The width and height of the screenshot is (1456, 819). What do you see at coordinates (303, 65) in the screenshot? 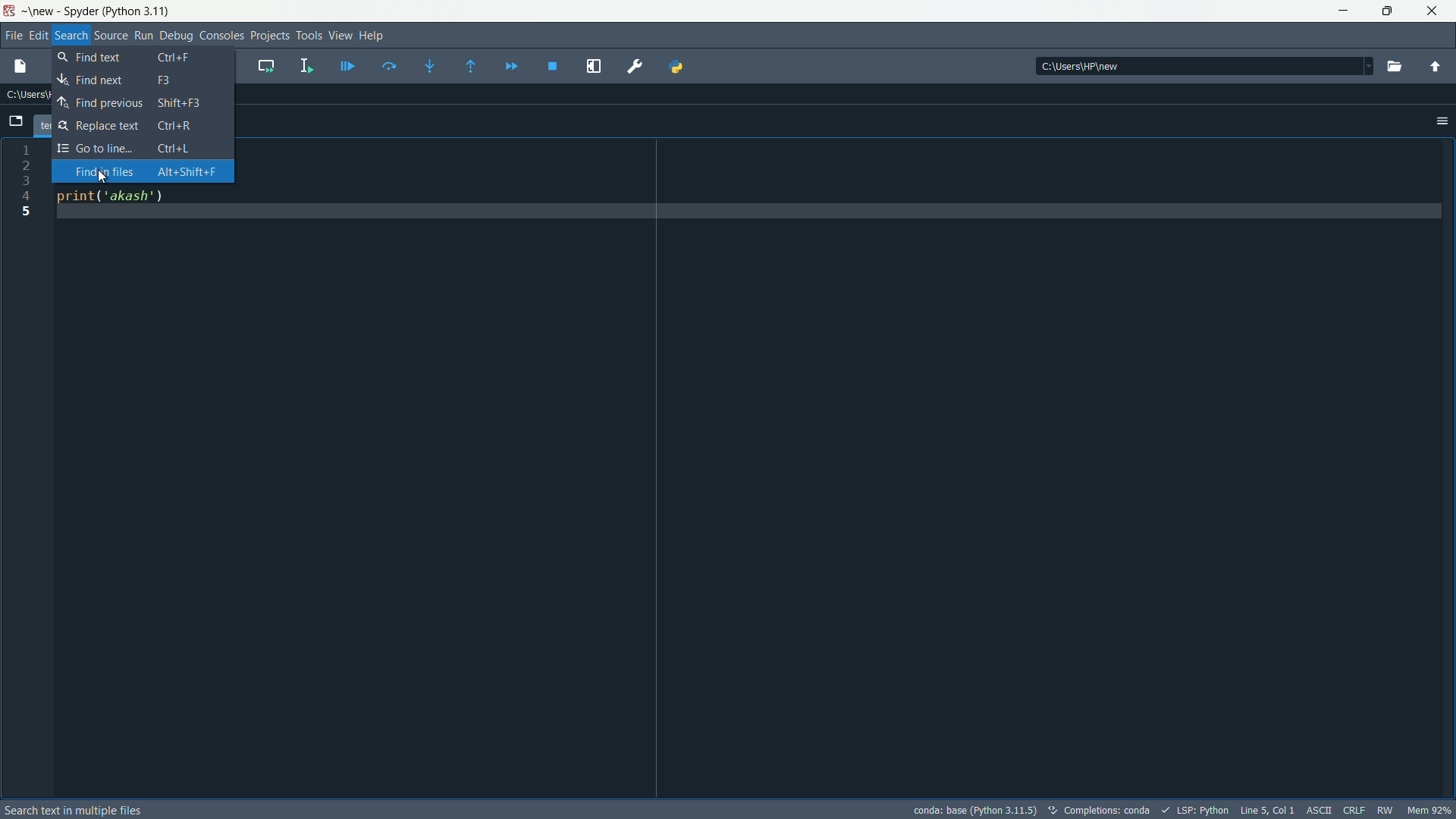
I see `run selection` at bounding box center [303, 65].